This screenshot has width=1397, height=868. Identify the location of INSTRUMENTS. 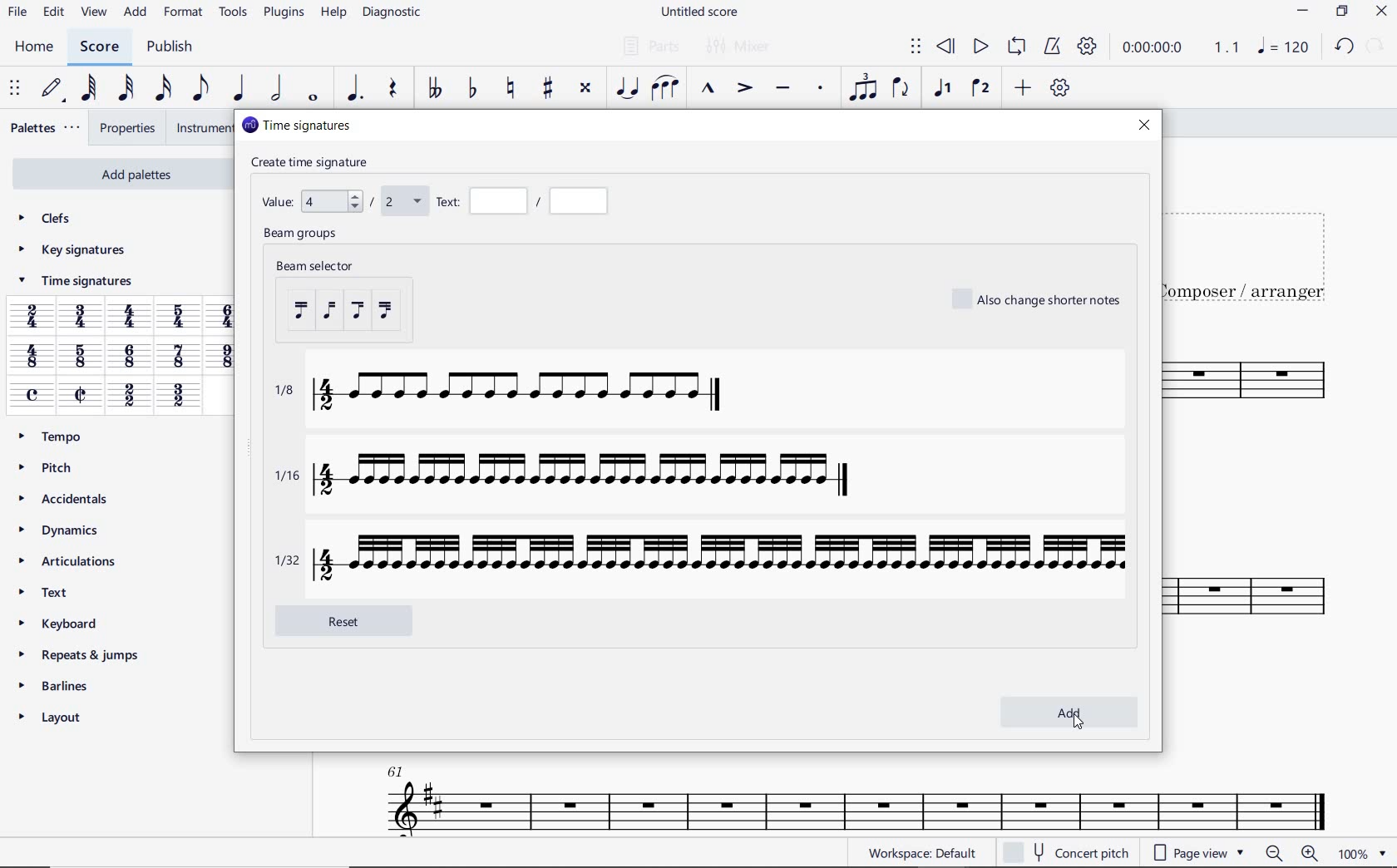
(201, 128).